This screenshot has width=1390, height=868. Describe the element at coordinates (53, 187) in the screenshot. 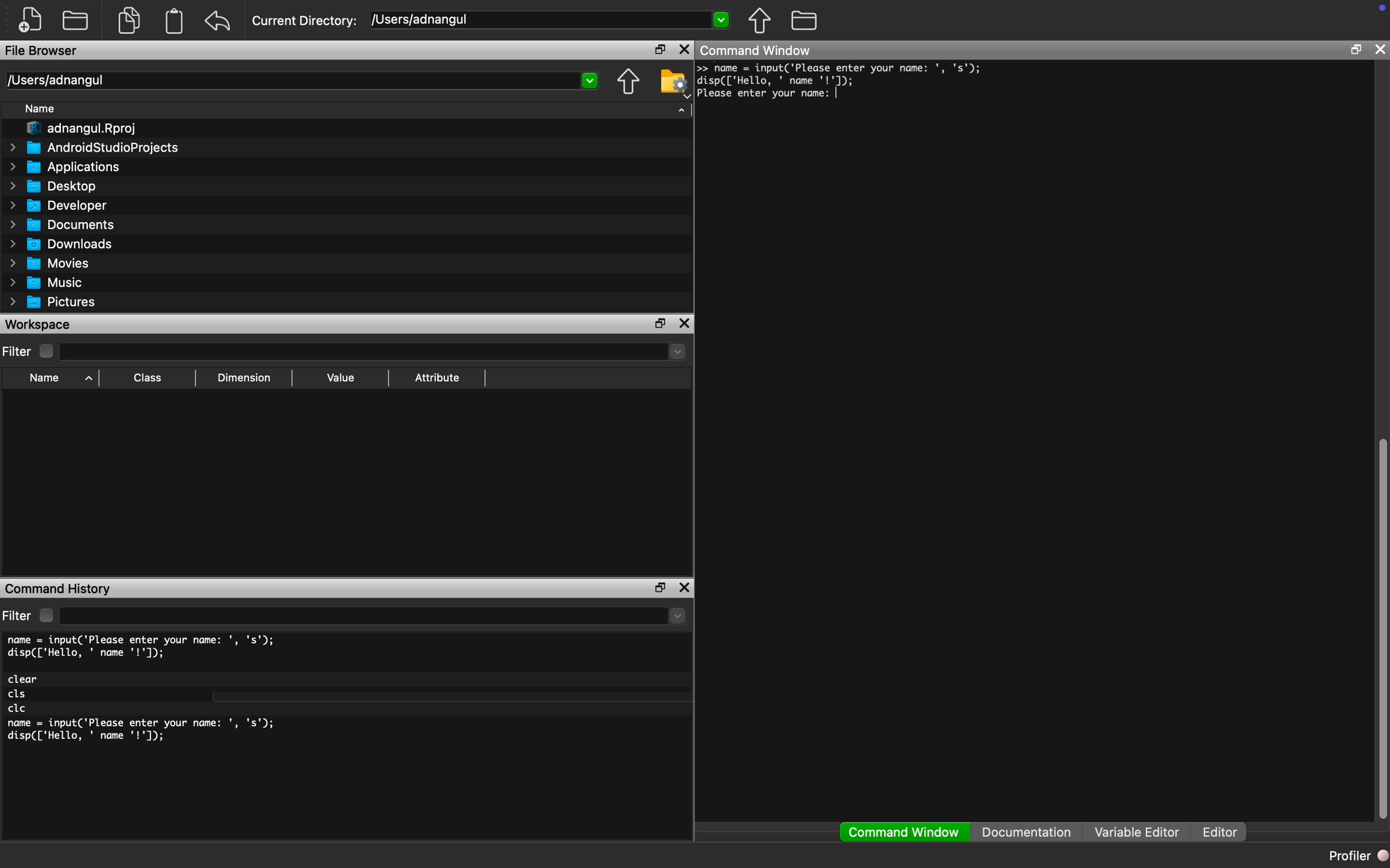

I see `Desktop` at that location.